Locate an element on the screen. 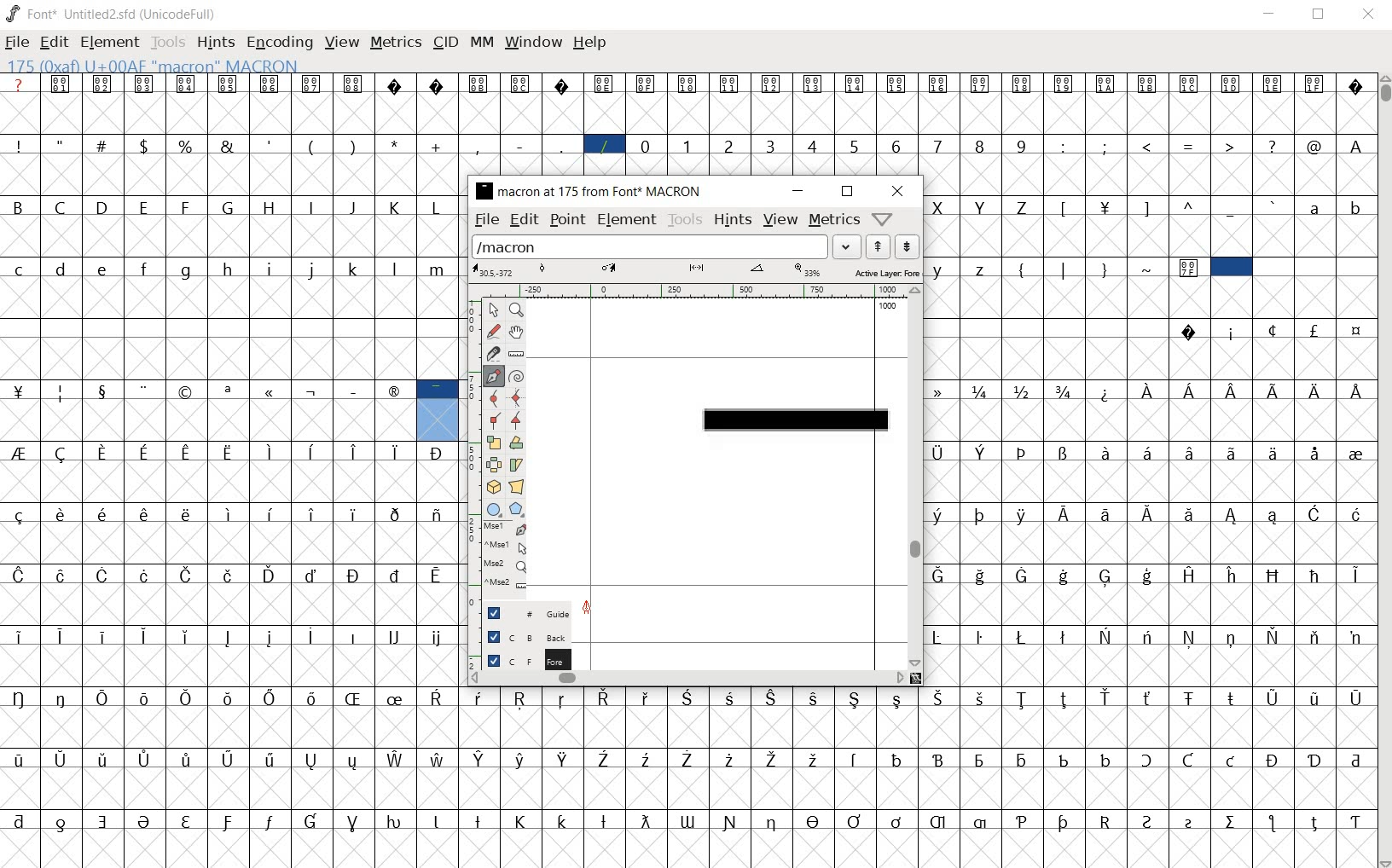 This screenshot has width=1392, height=868. Y is located at coordinates (981, 205).